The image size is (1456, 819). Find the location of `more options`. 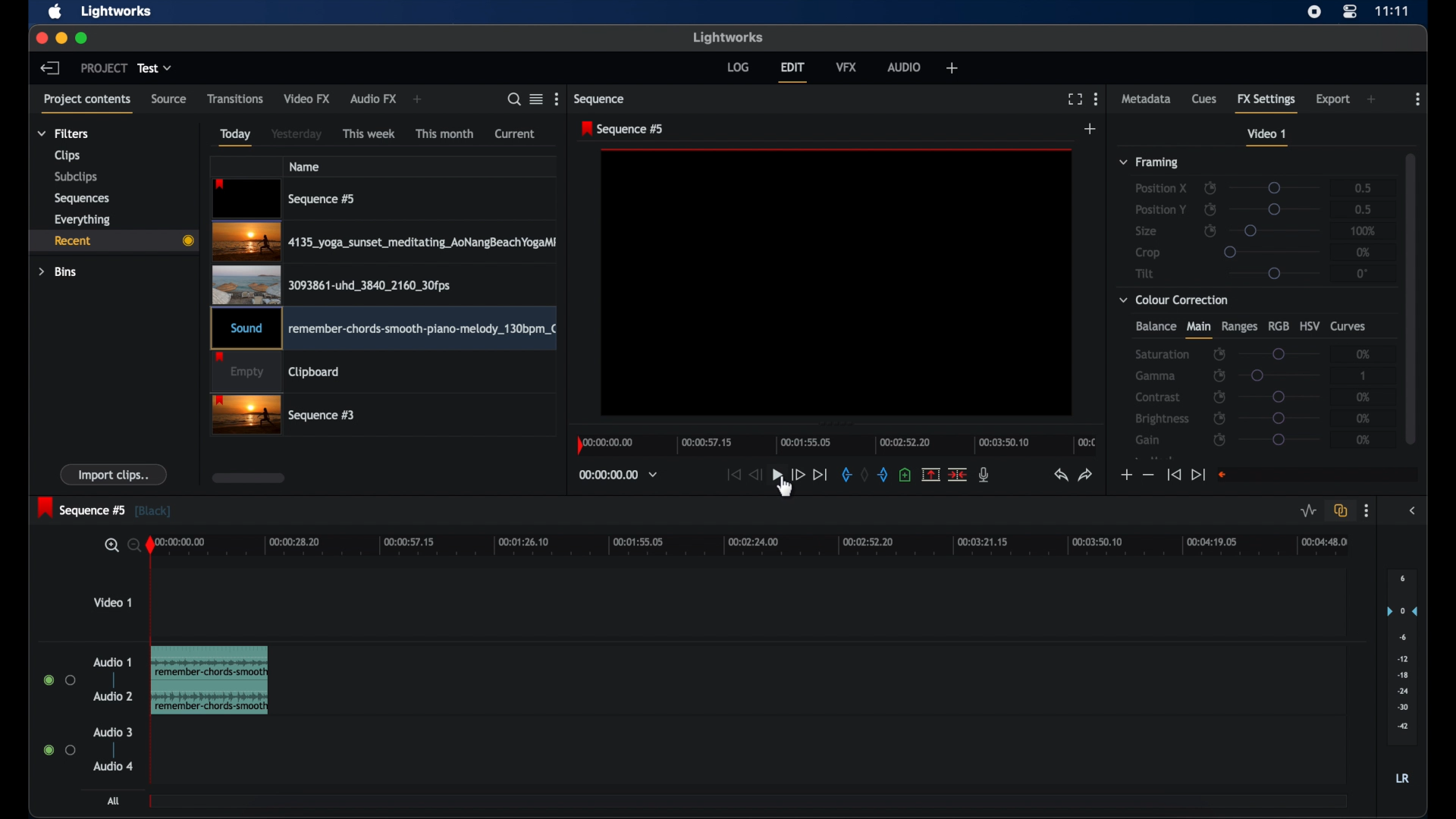

more options is located at coordinates (1097, 99).